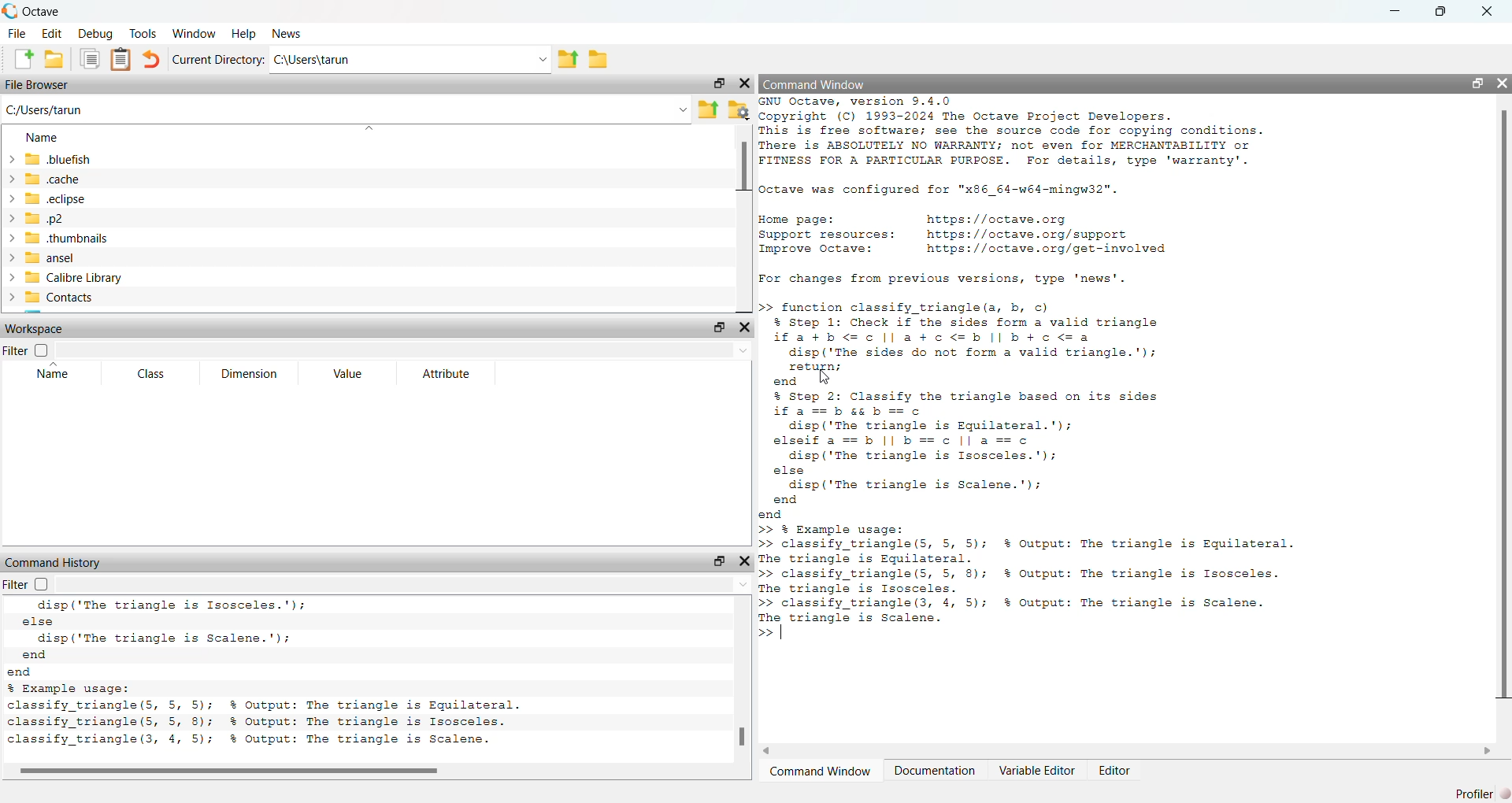 Image resolution: width=1512 pixels, height=803 pixels. What do you see at coordinates (1028, 573) in the screenshot?
I see `result of the above code` at bounding box center [1028, 573].